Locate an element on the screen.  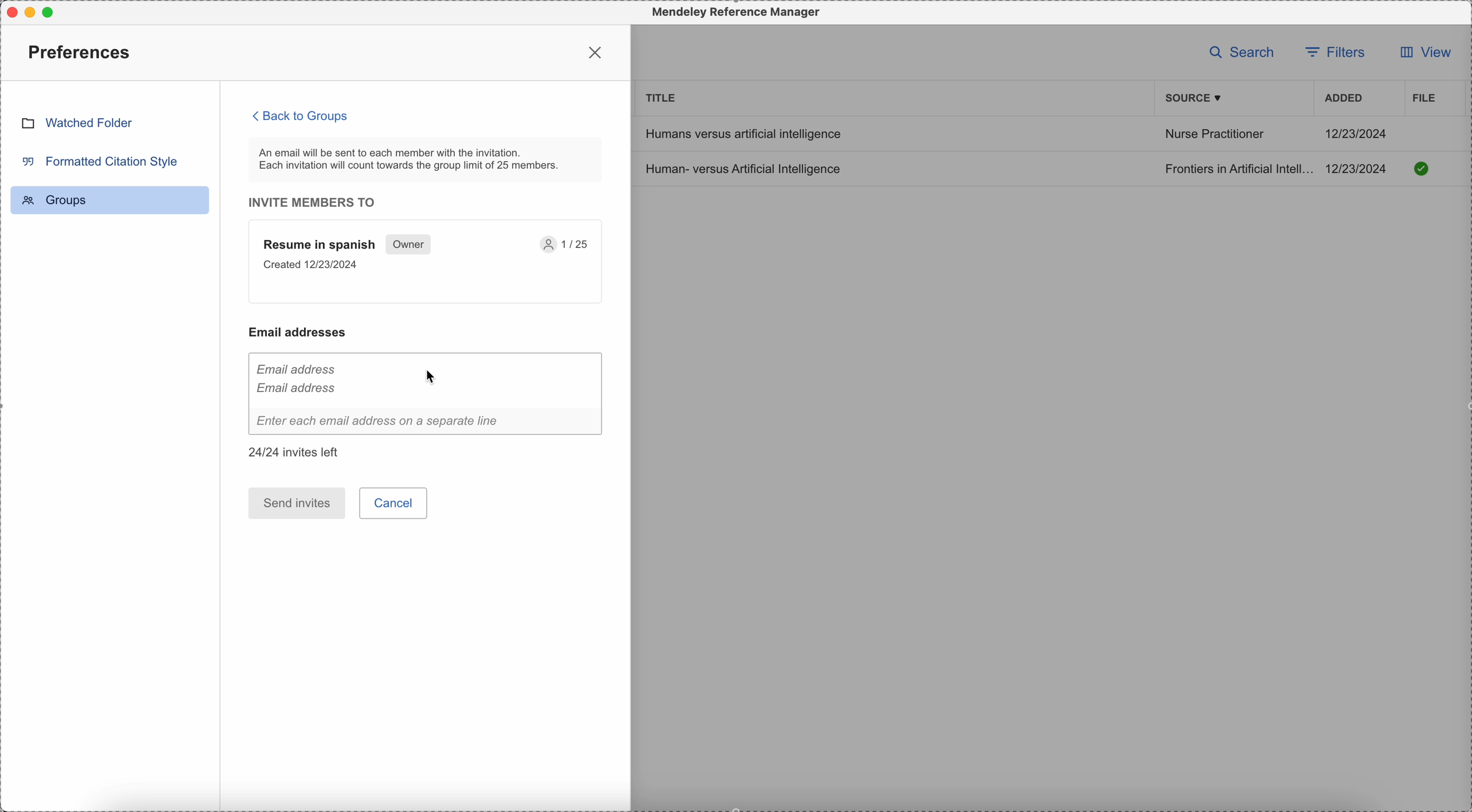
resume in spanish is located at coordinates (426, 262).